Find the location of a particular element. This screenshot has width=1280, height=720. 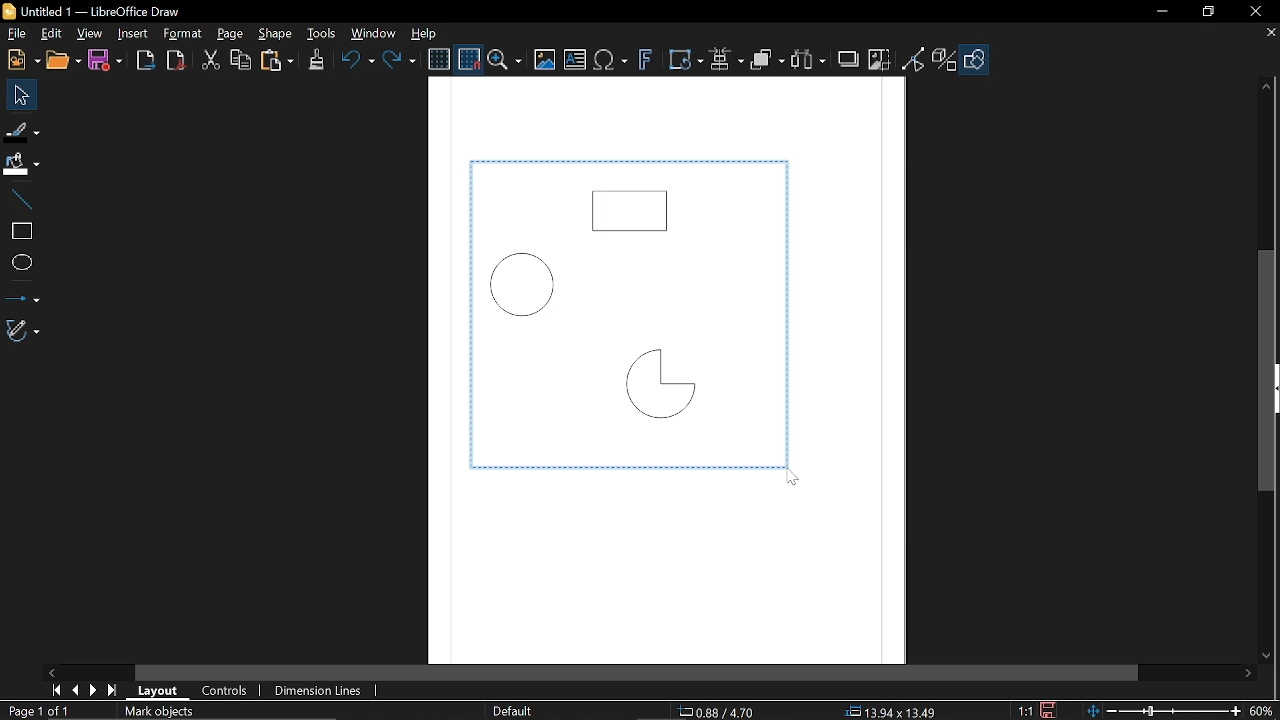

B Untitled 1 — LibreOffice Draw is located at coordinates (110, 11).